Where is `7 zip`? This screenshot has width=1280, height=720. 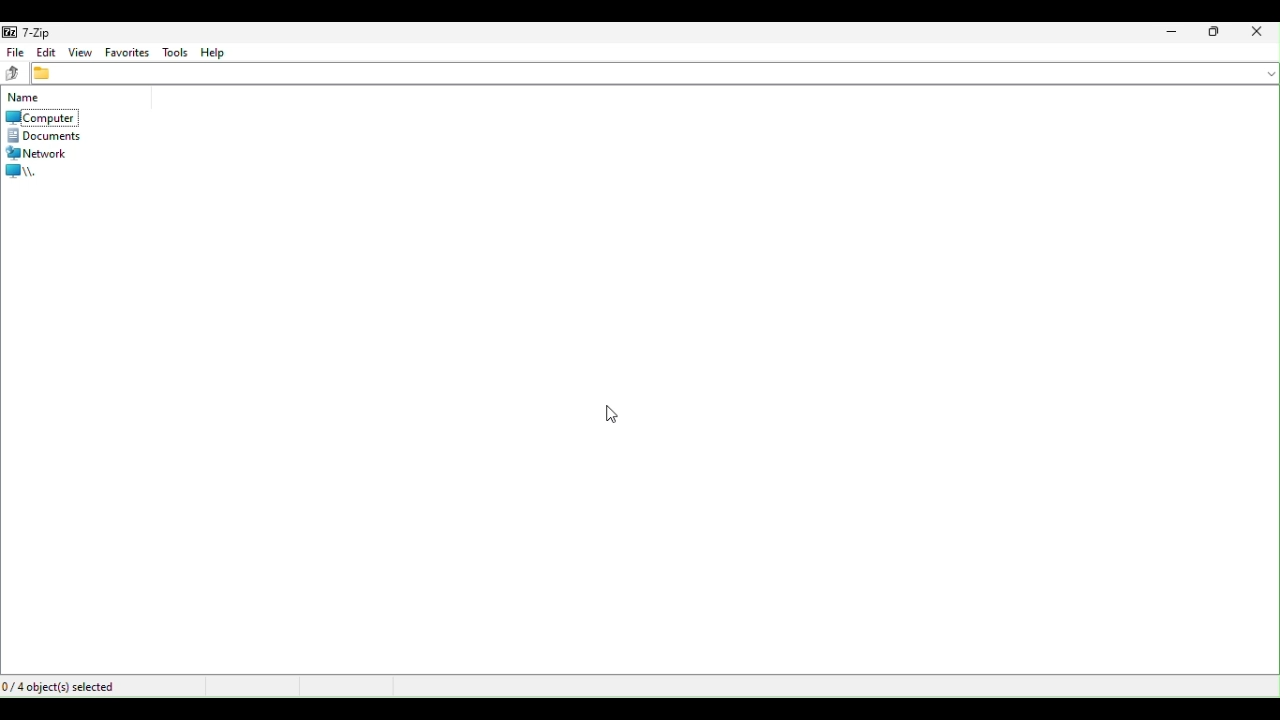
7 zip is located at coordinates (32, 30).